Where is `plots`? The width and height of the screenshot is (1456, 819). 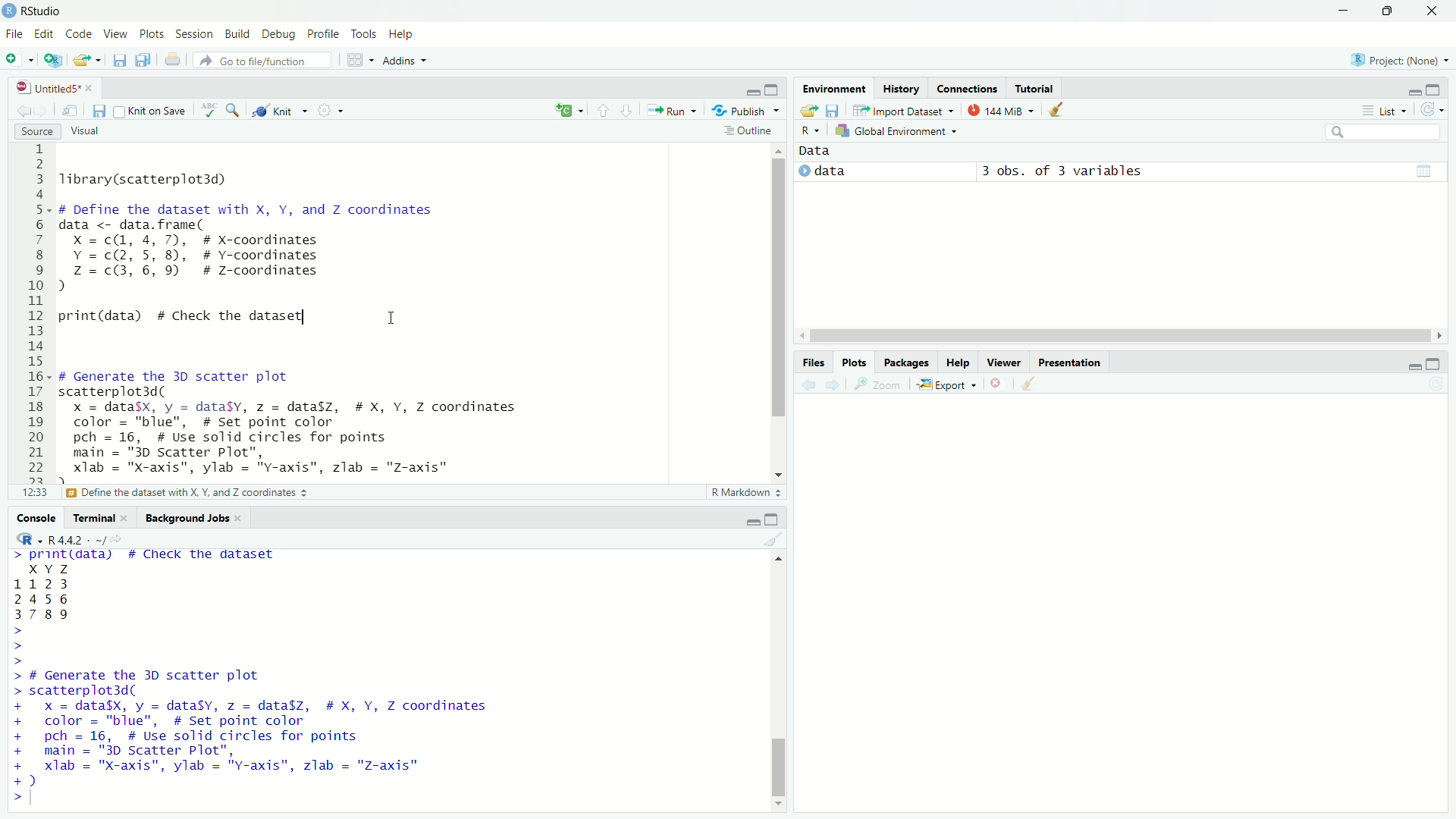 plots is located at coordinates (855, 362).